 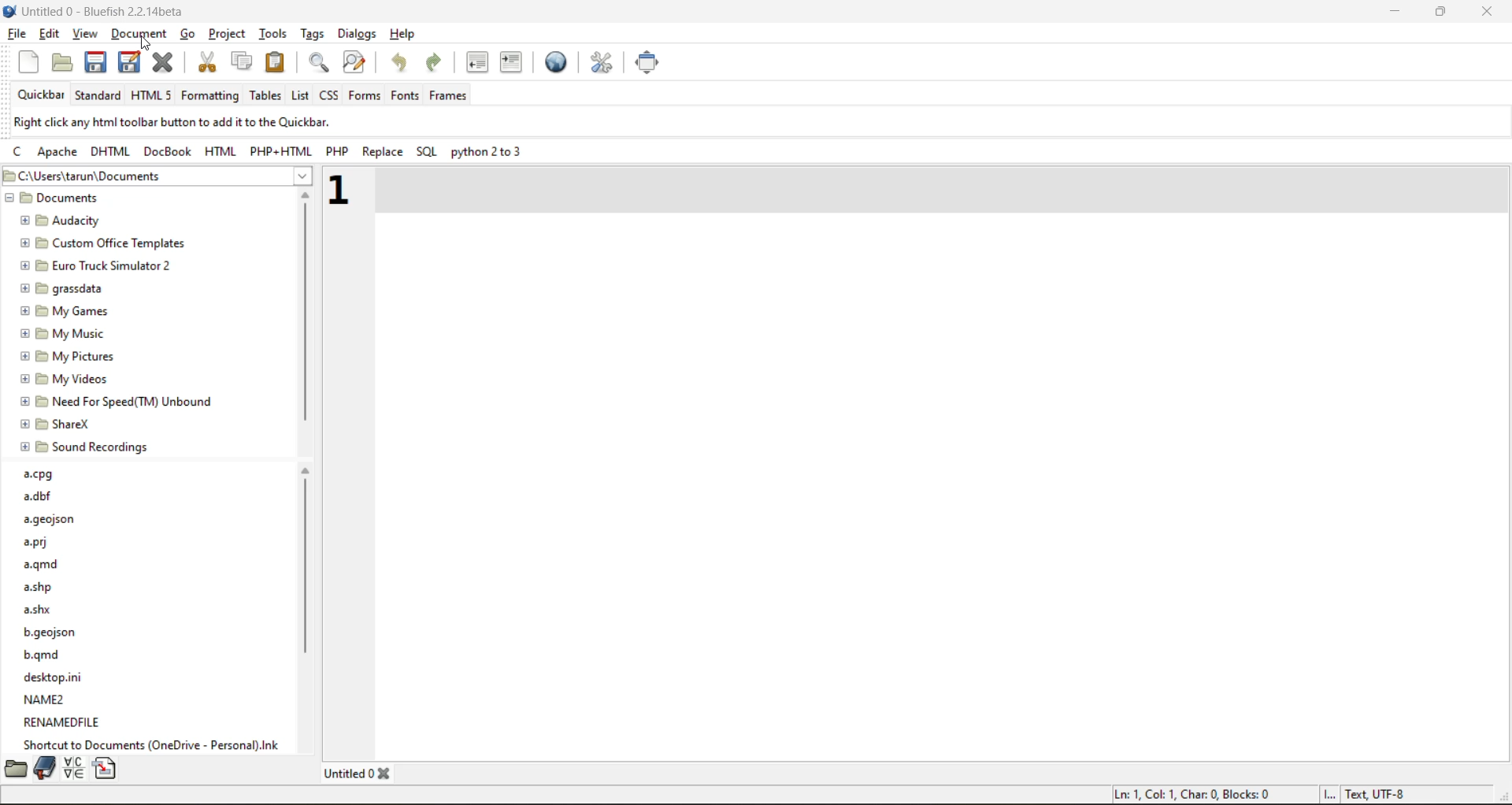 What do you see at coordinates (60, 222) in the screenshot?
I see `audacity` at bounding box center [60, 222].